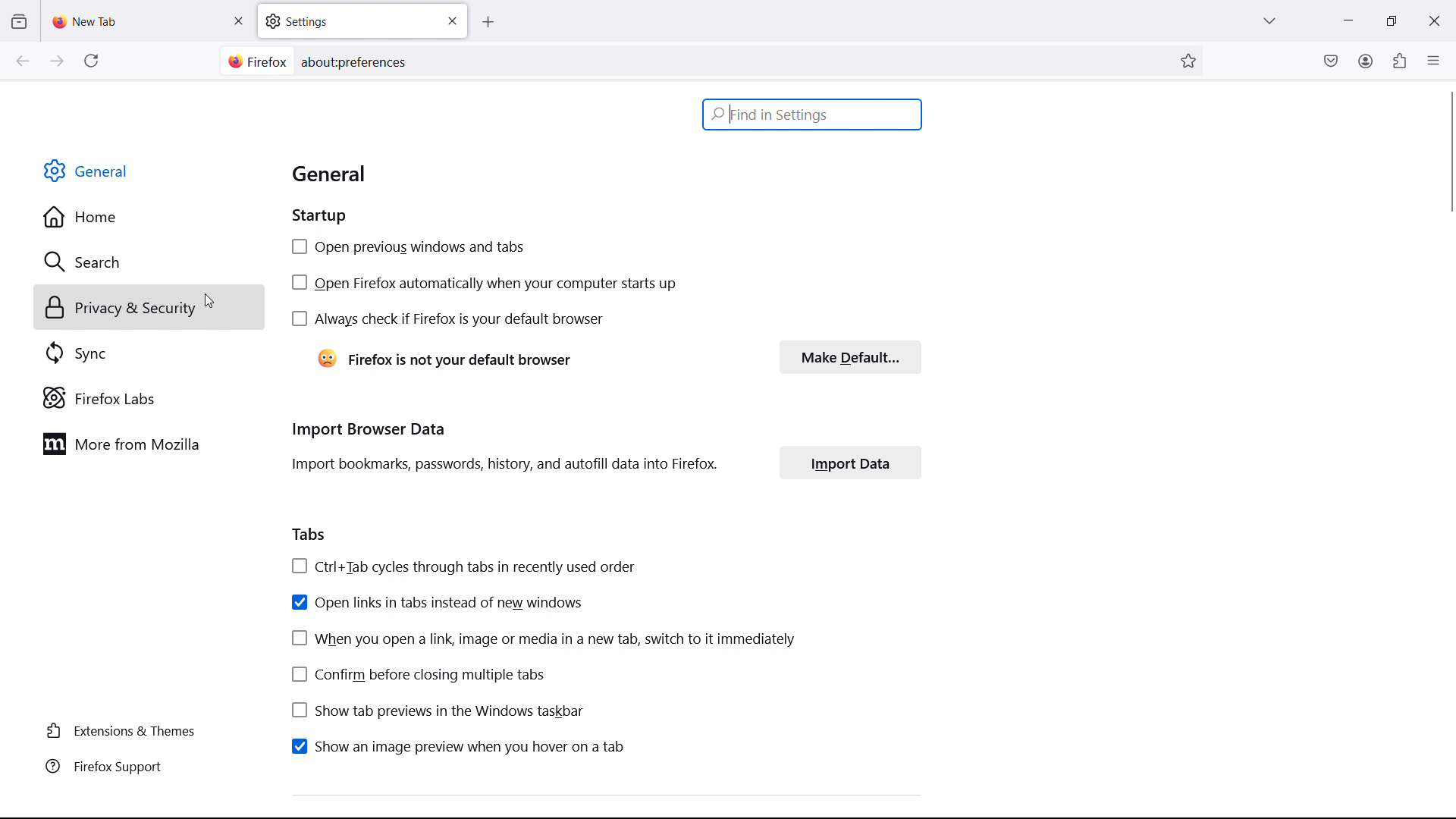 The width and height of the screenshot is (1456, 819). I want to click on find in settings, so click(813, 114).